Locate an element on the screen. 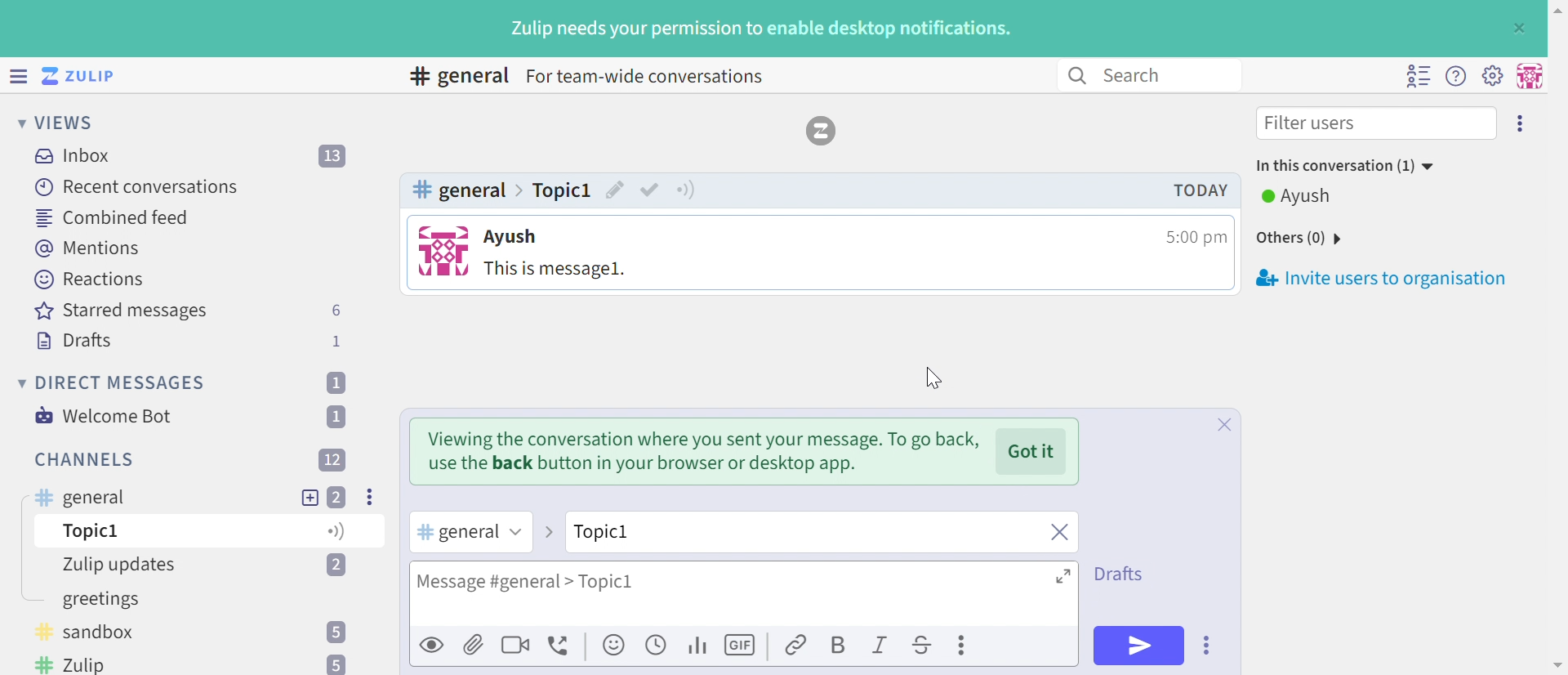 The height and width of the screenshot is (675, 1568). CHANNELS is located at coordinates (86, 460).